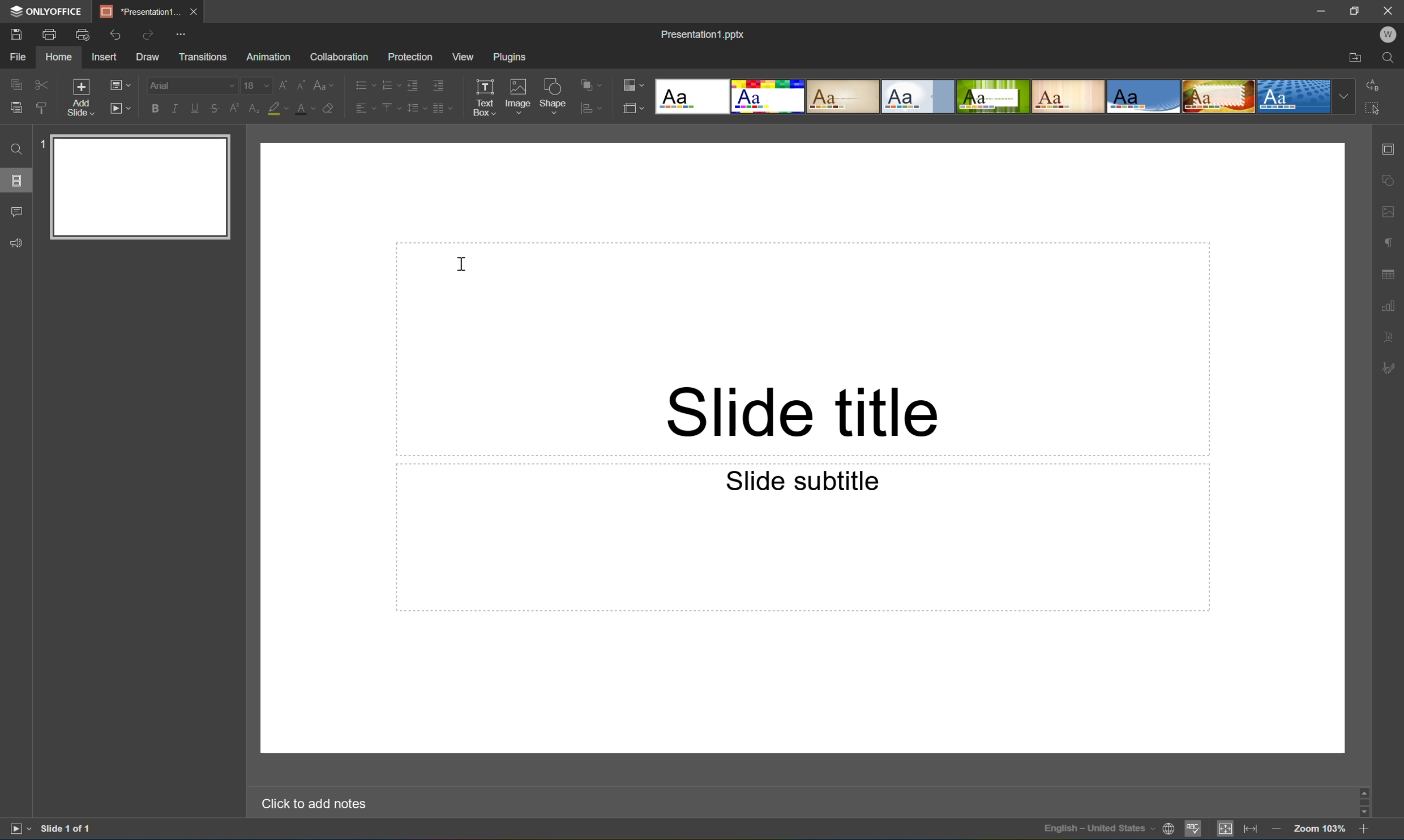  What do you see at coordinates (253, 109) in the screenshot?
I see `Subscript` at bounding box center [253, 109].